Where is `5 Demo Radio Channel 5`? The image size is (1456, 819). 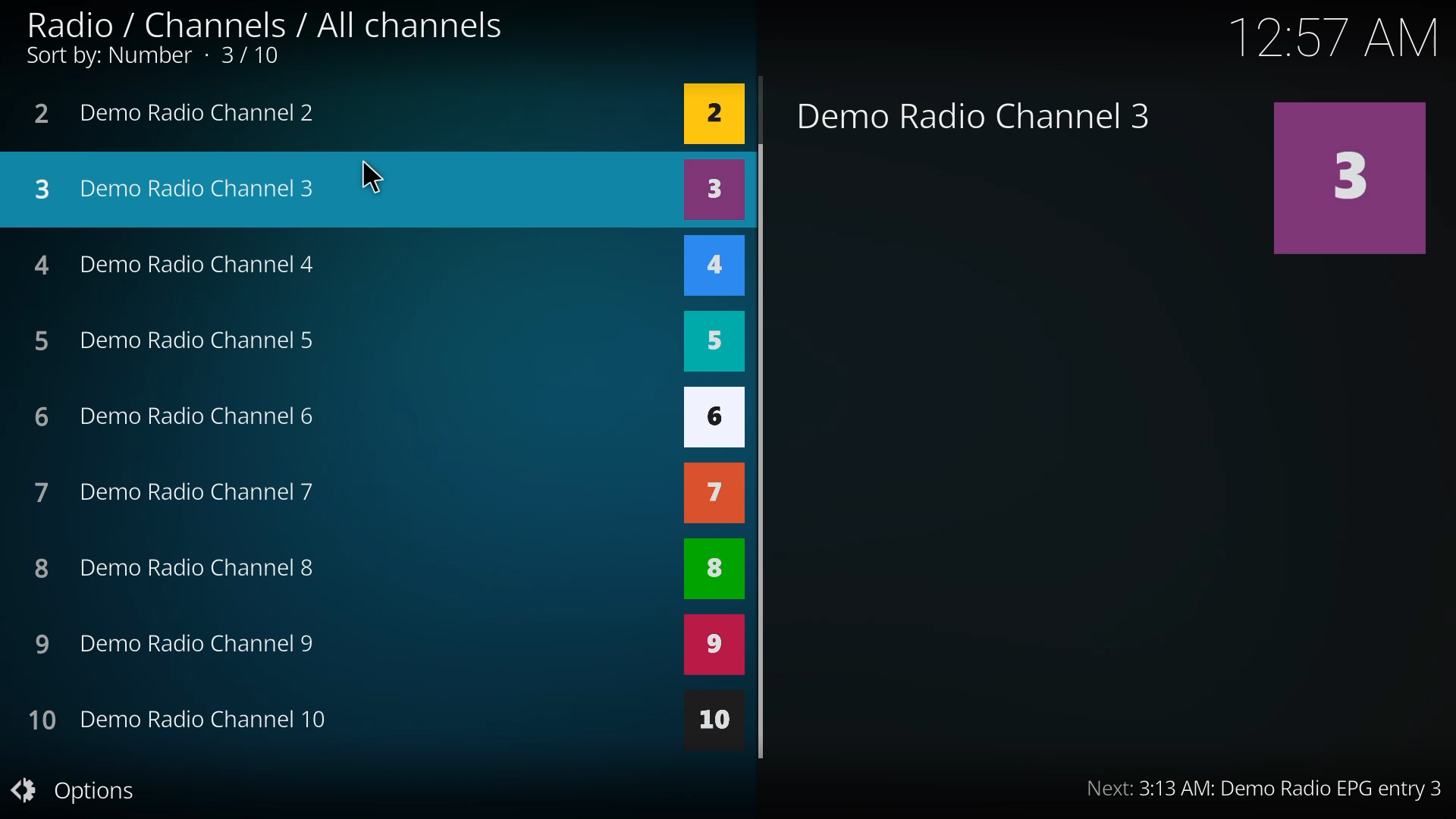
5 Demo Radio Channel 5 is located at coordinates (174, 340).